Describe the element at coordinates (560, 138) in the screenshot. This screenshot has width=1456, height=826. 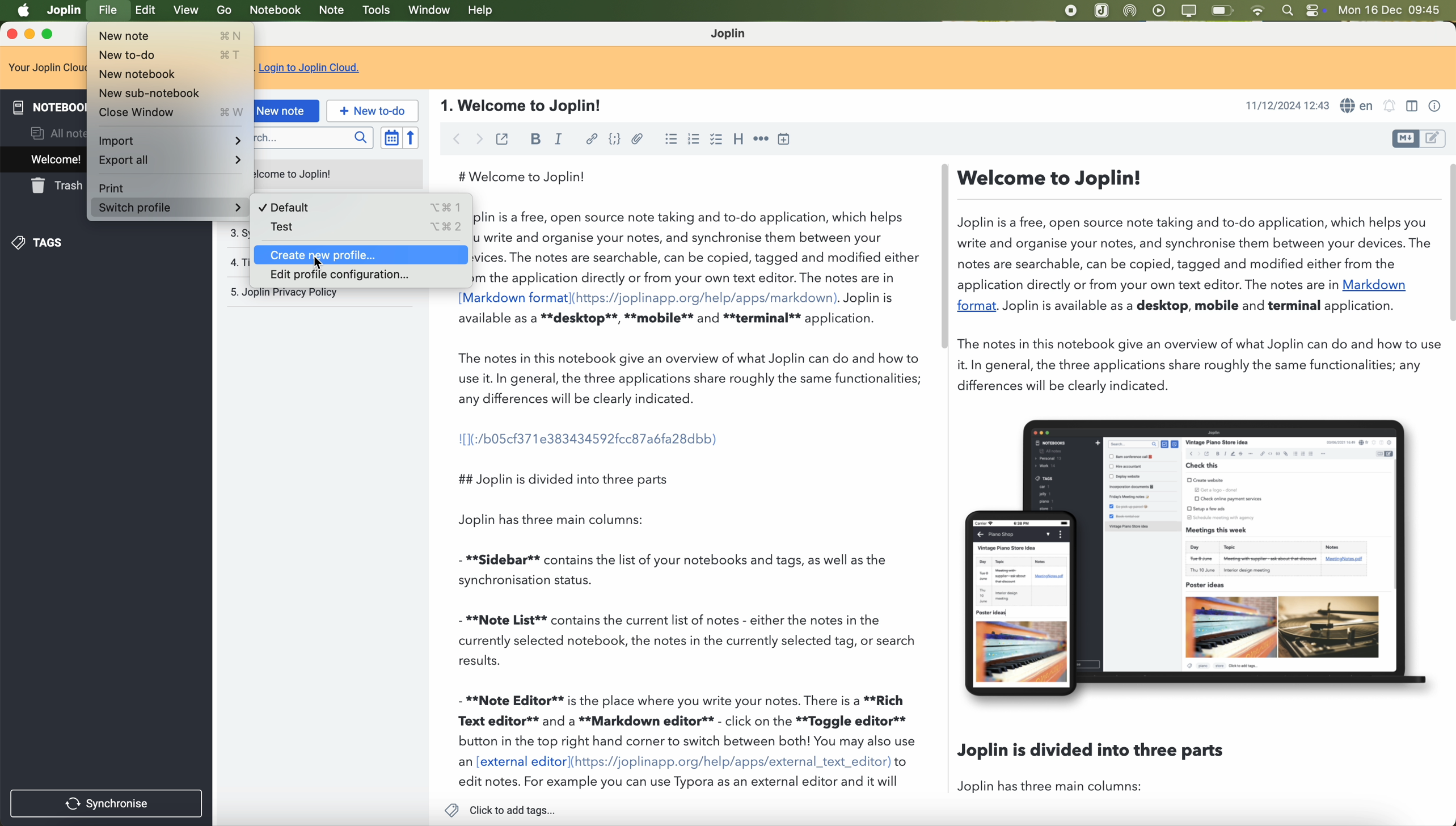
I see `italic` at that location.